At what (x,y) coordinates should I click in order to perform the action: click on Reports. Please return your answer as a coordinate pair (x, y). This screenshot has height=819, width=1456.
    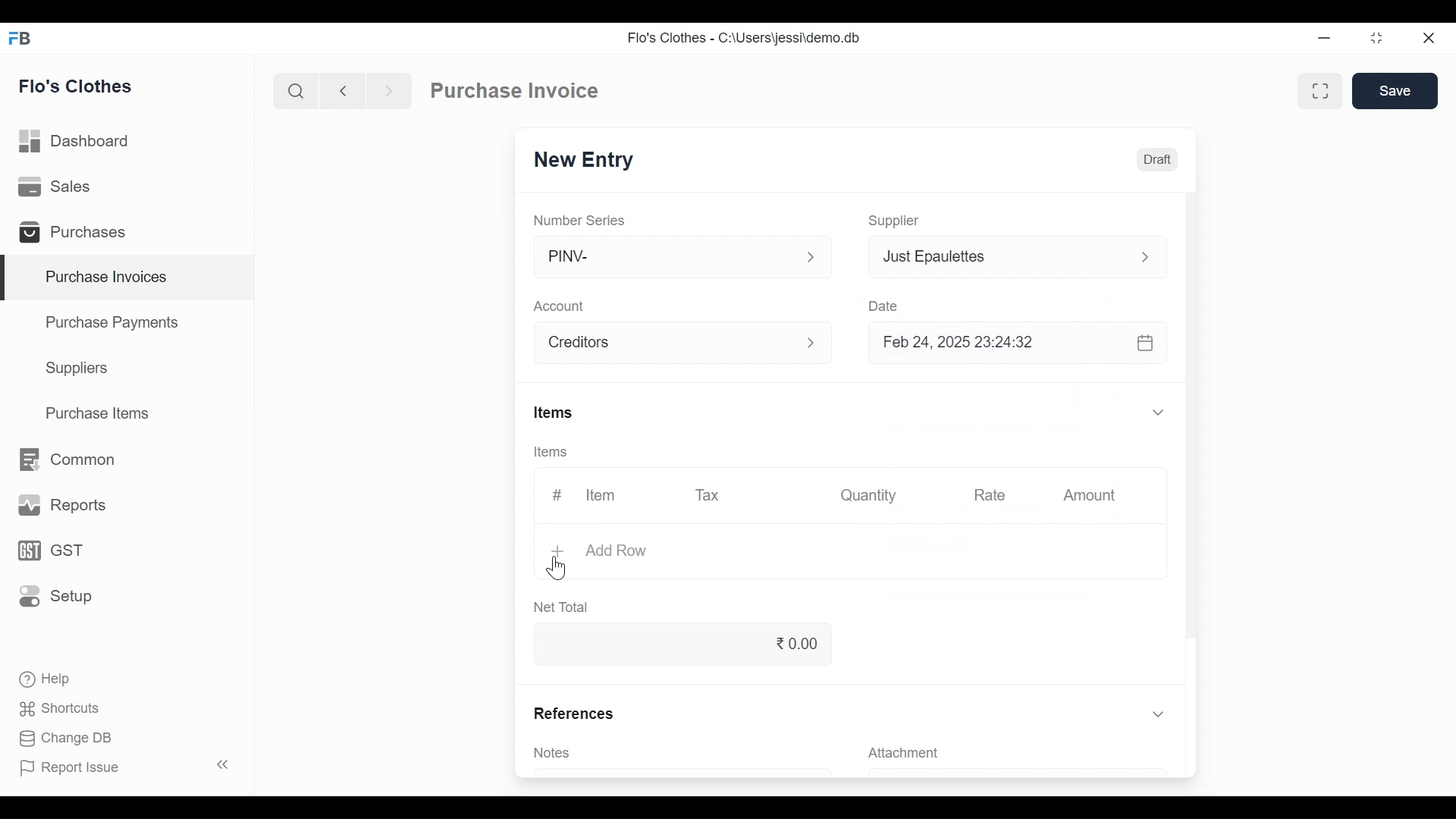
    Looking at the image, I should click on (59, 504).